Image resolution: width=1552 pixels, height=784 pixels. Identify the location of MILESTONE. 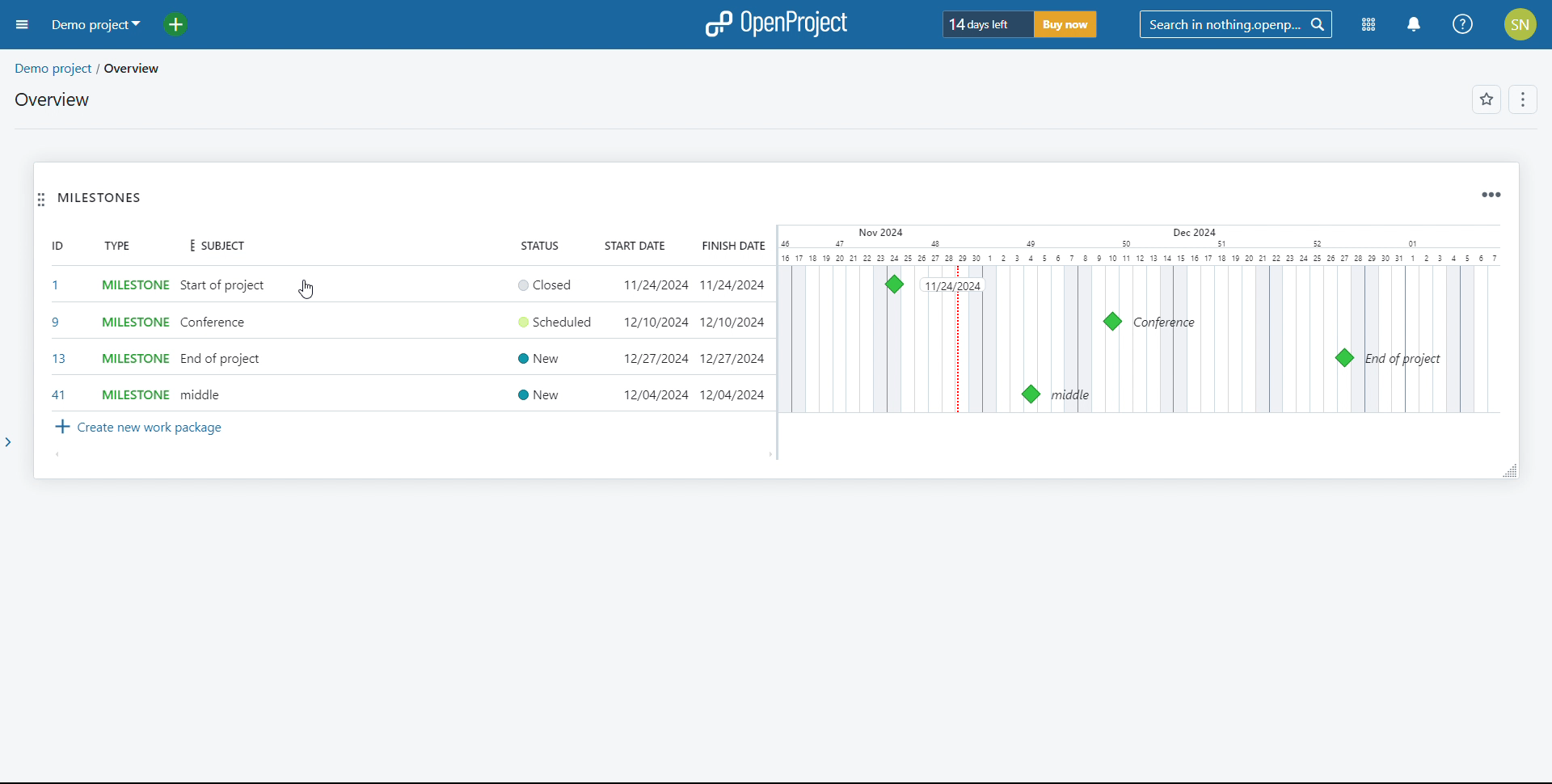
(128, 284).